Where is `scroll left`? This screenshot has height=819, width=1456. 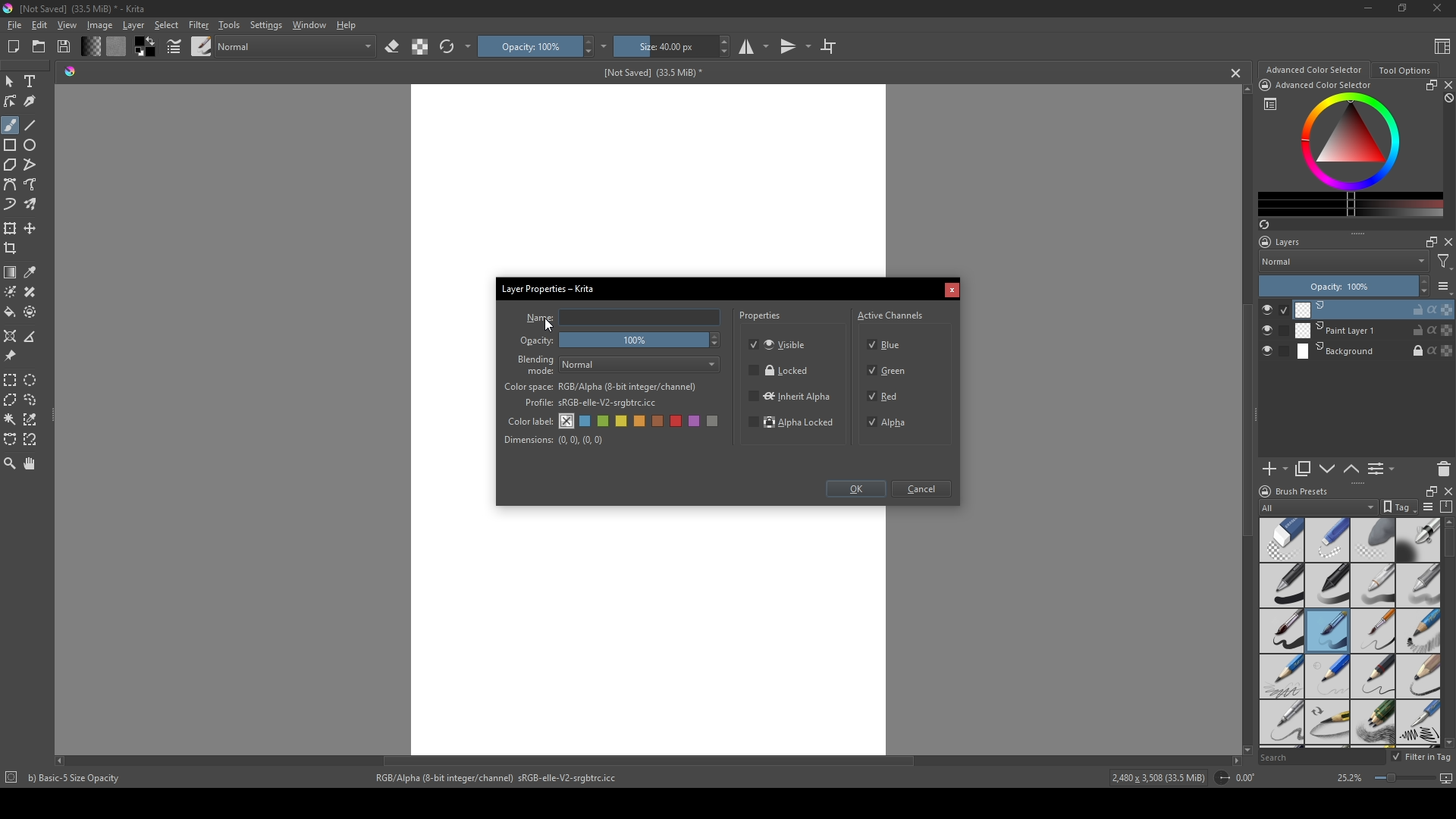
scroll left is located at coordinates (63, 761).